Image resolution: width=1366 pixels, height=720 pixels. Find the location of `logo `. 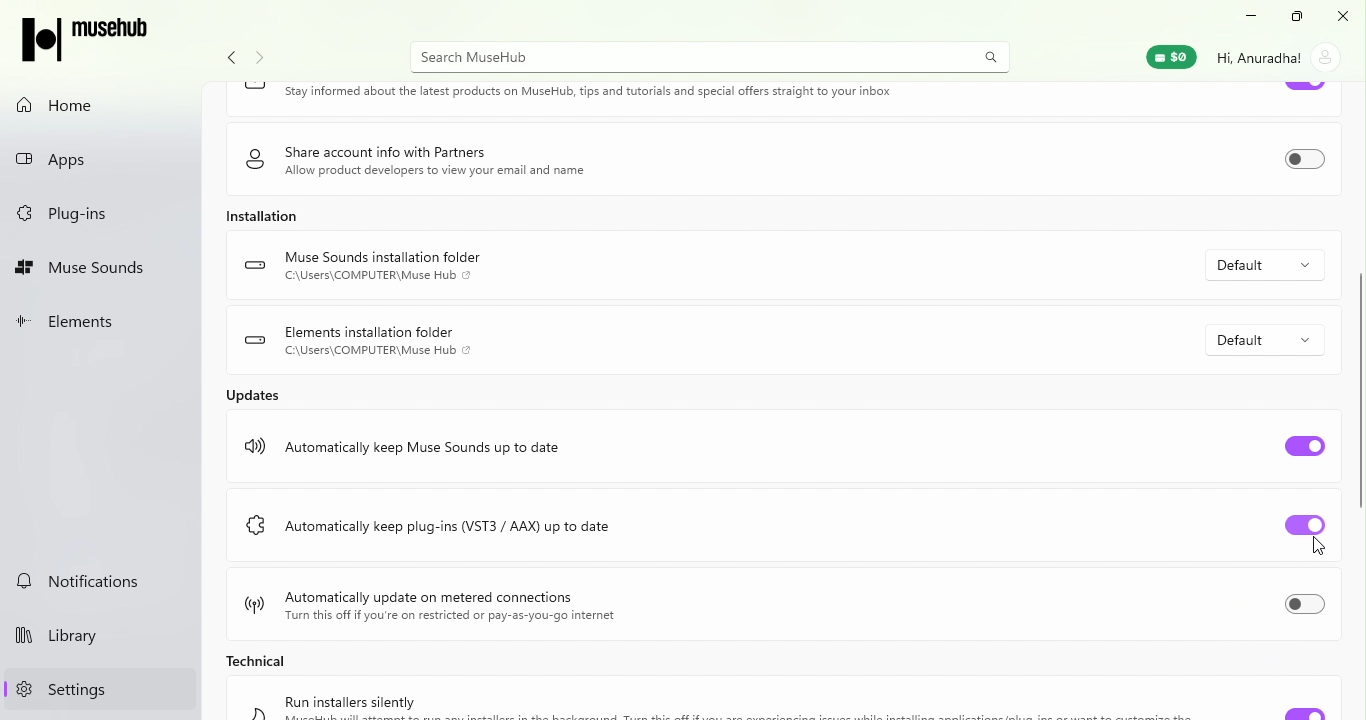

logo  is located at coordinates (255, 262).